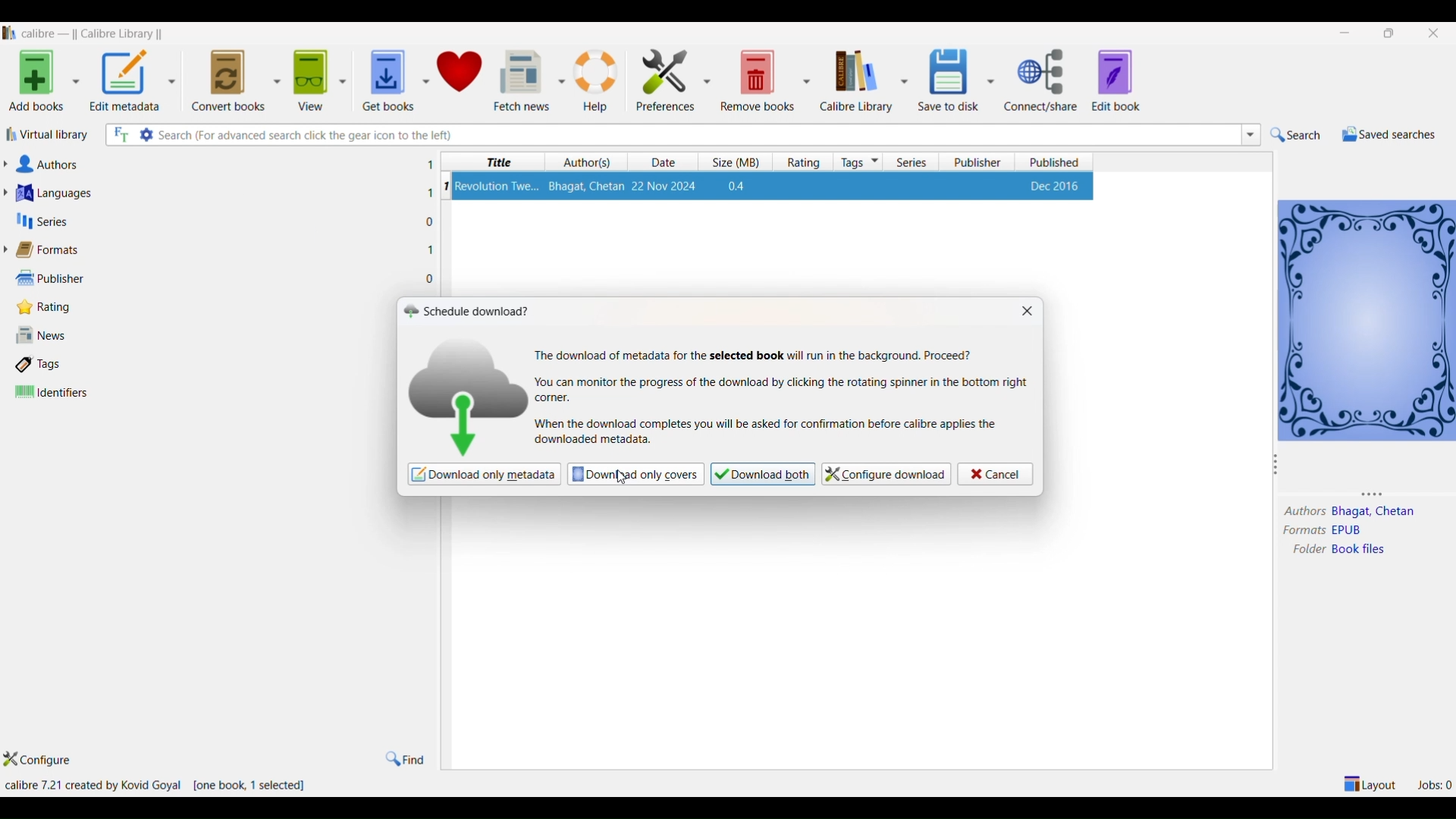  I want to click on EDIT BOOKS, so click(1131, 82).